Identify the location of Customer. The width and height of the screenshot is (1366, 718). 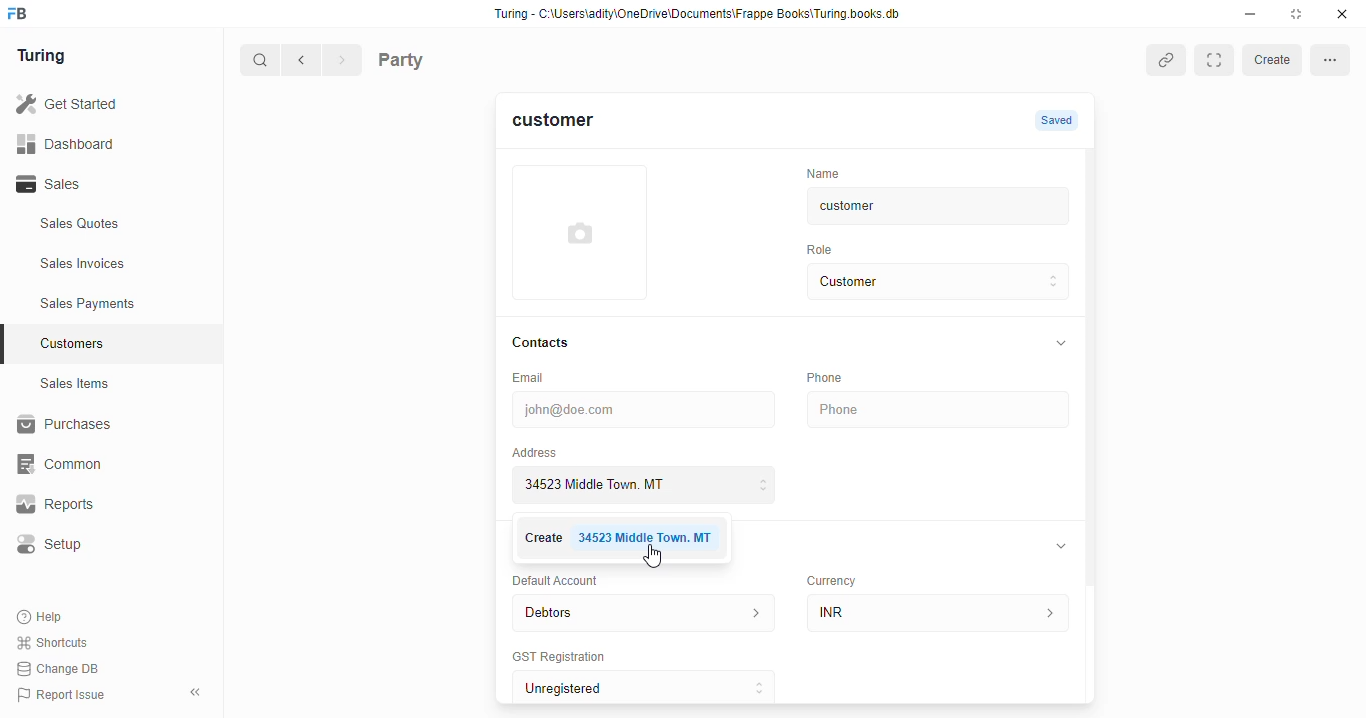
(915, 282).